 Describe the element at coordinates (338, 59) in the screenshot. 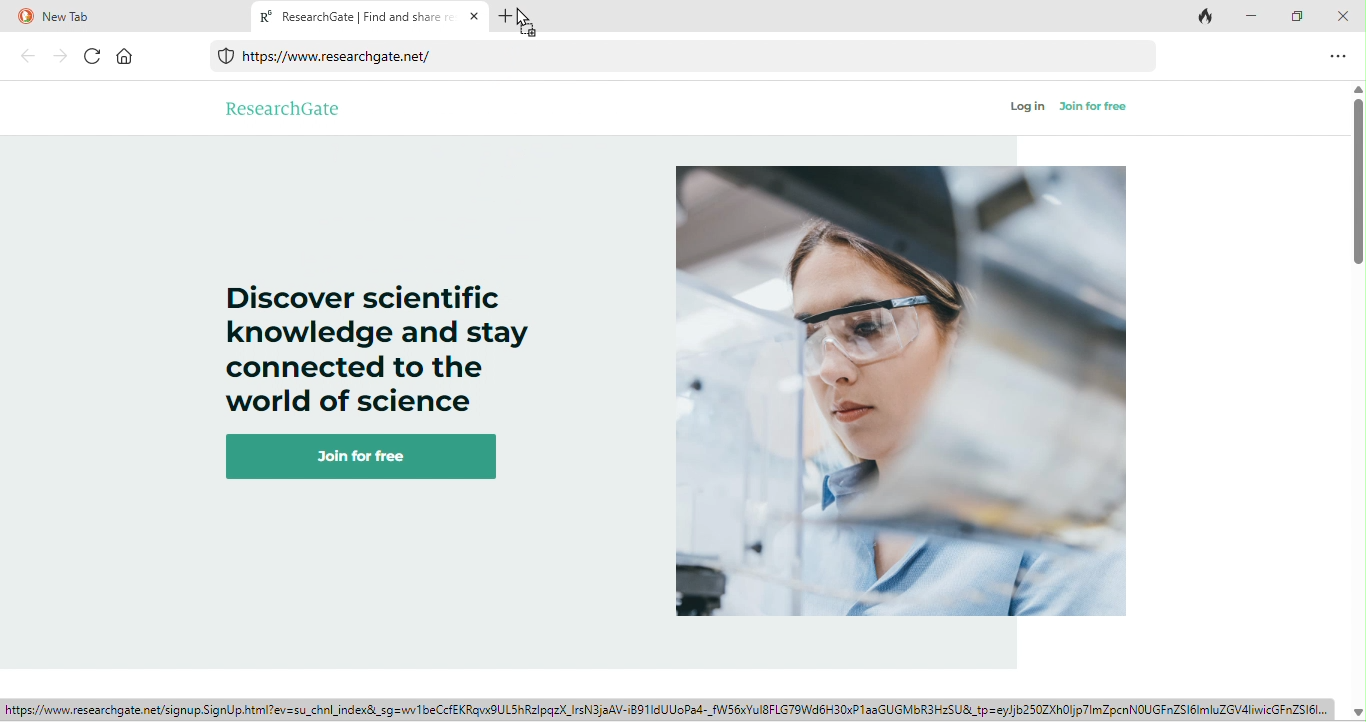

I see `© https://www.researchgate.net/` at that location.